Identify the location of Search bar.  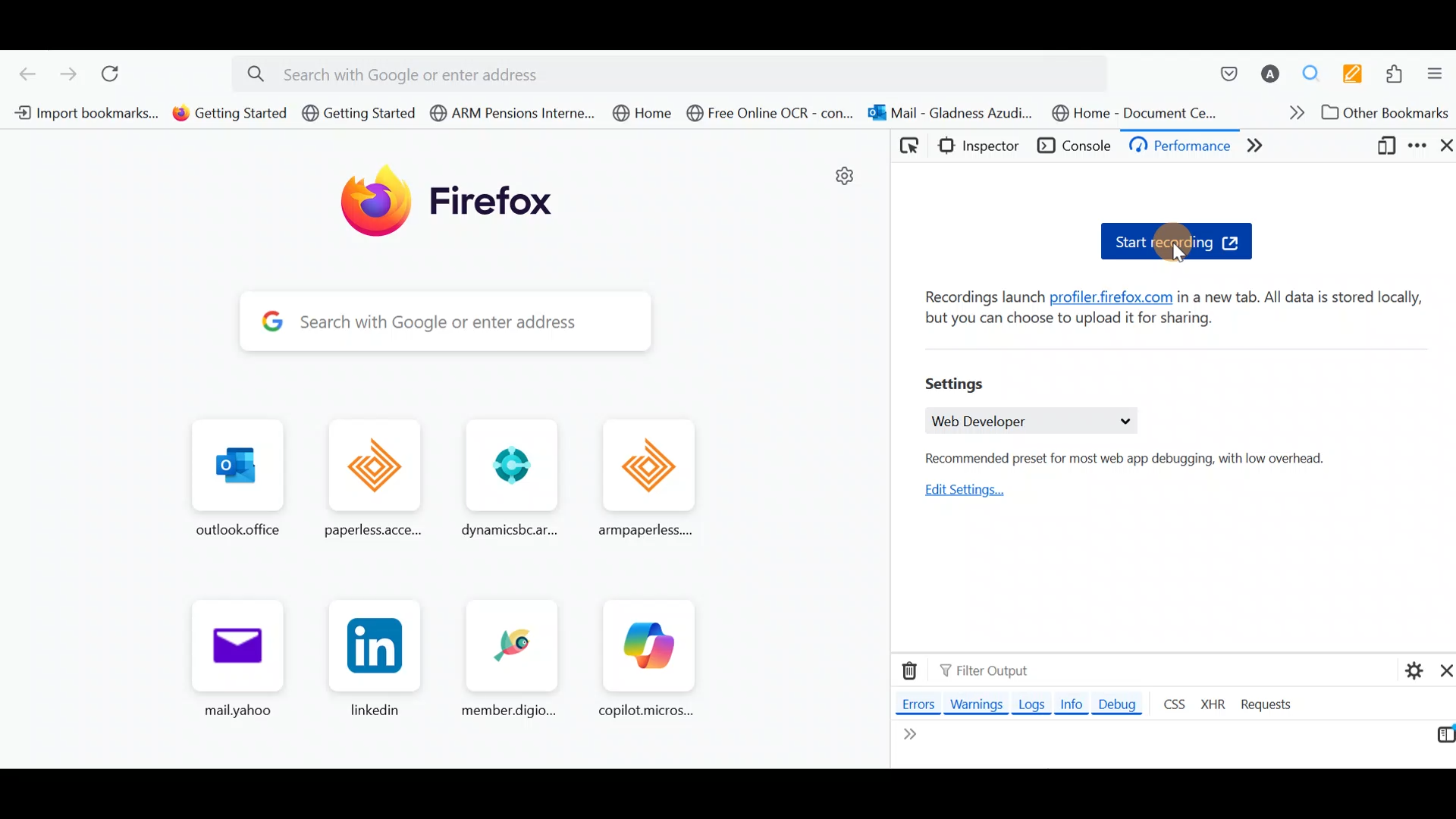
(447, 322).